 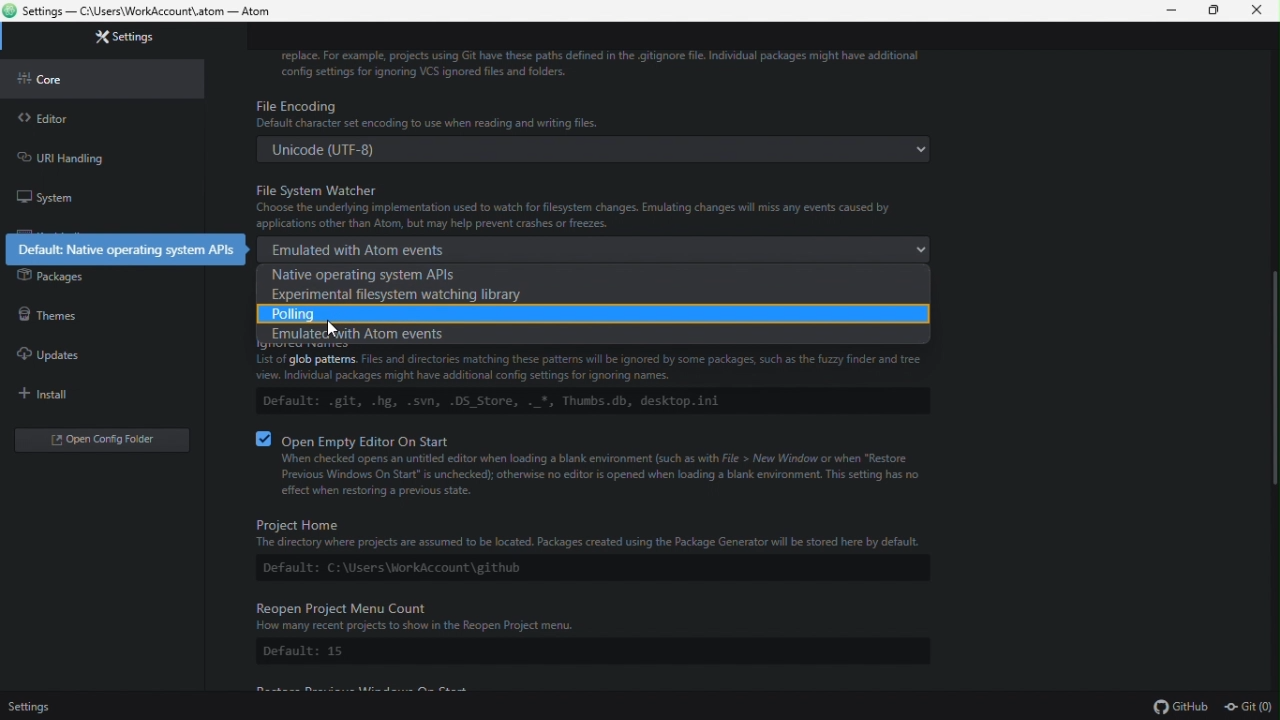 What do you see at coordinates (1217, 12) in the screenshot?
I see `maximize` at bounding box center [1217, 12].